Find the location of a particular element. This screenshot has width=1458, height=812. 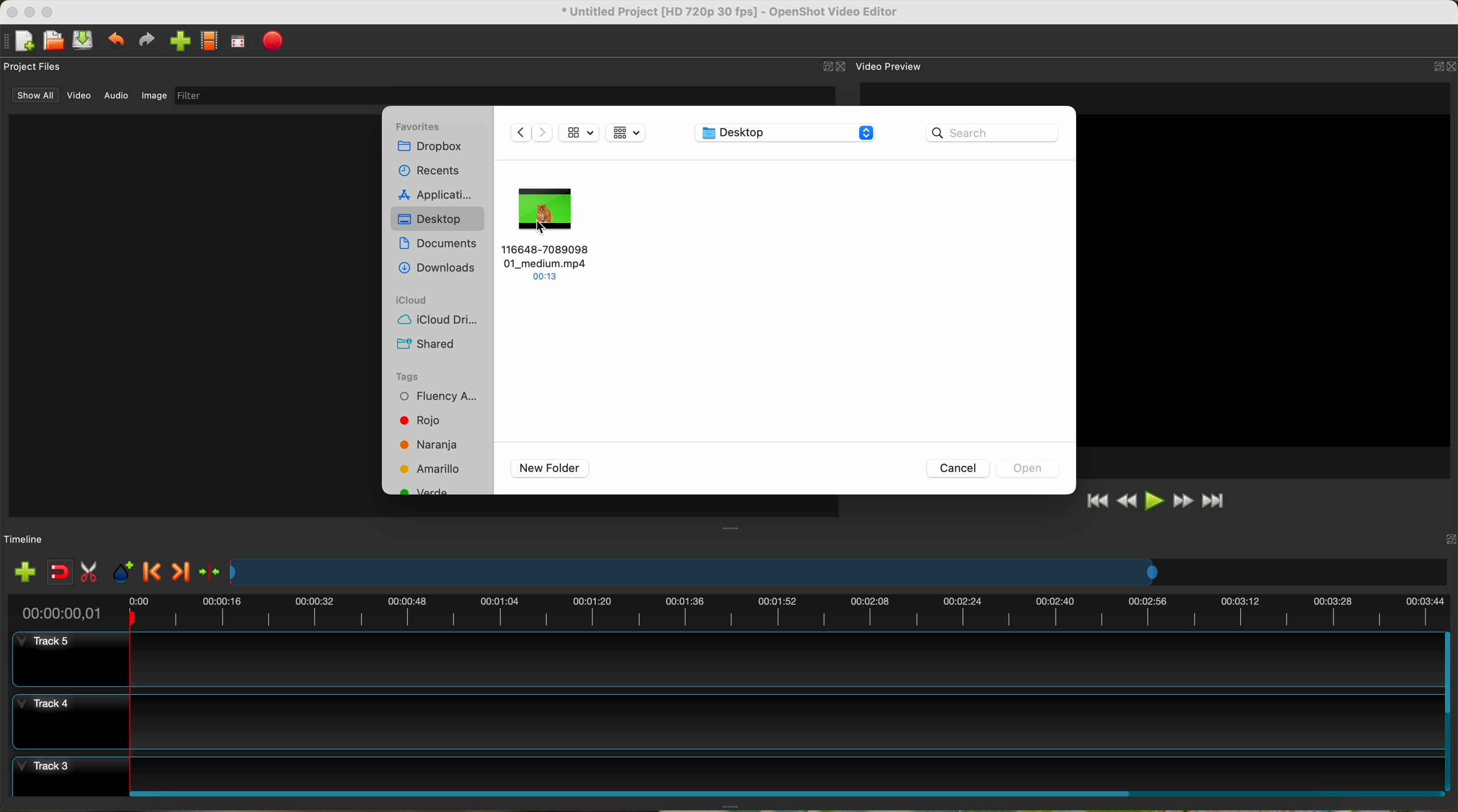

grid view is located at coordinates (628, 134).